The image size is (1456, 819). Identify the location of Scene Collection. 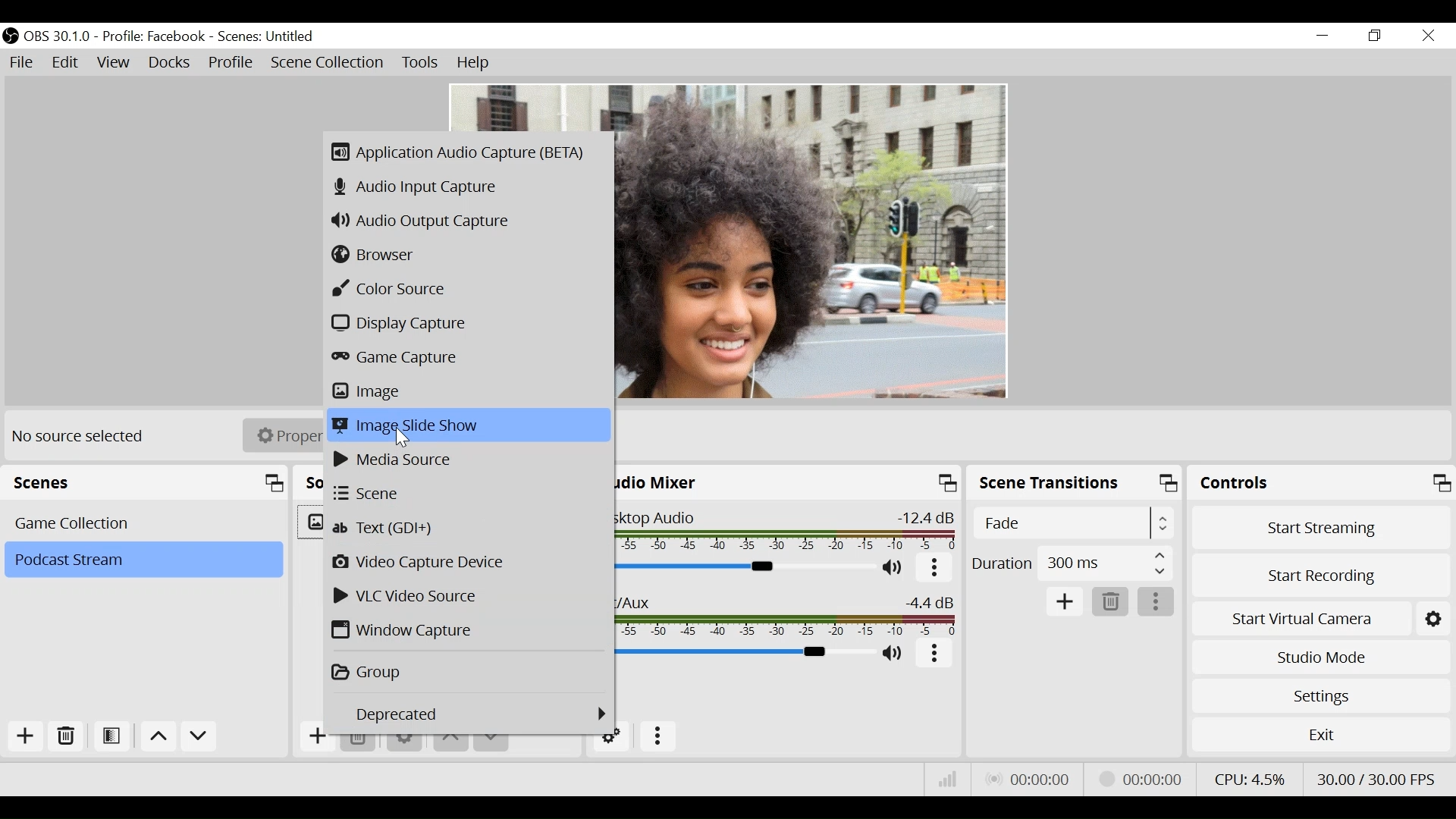
(328, 63).